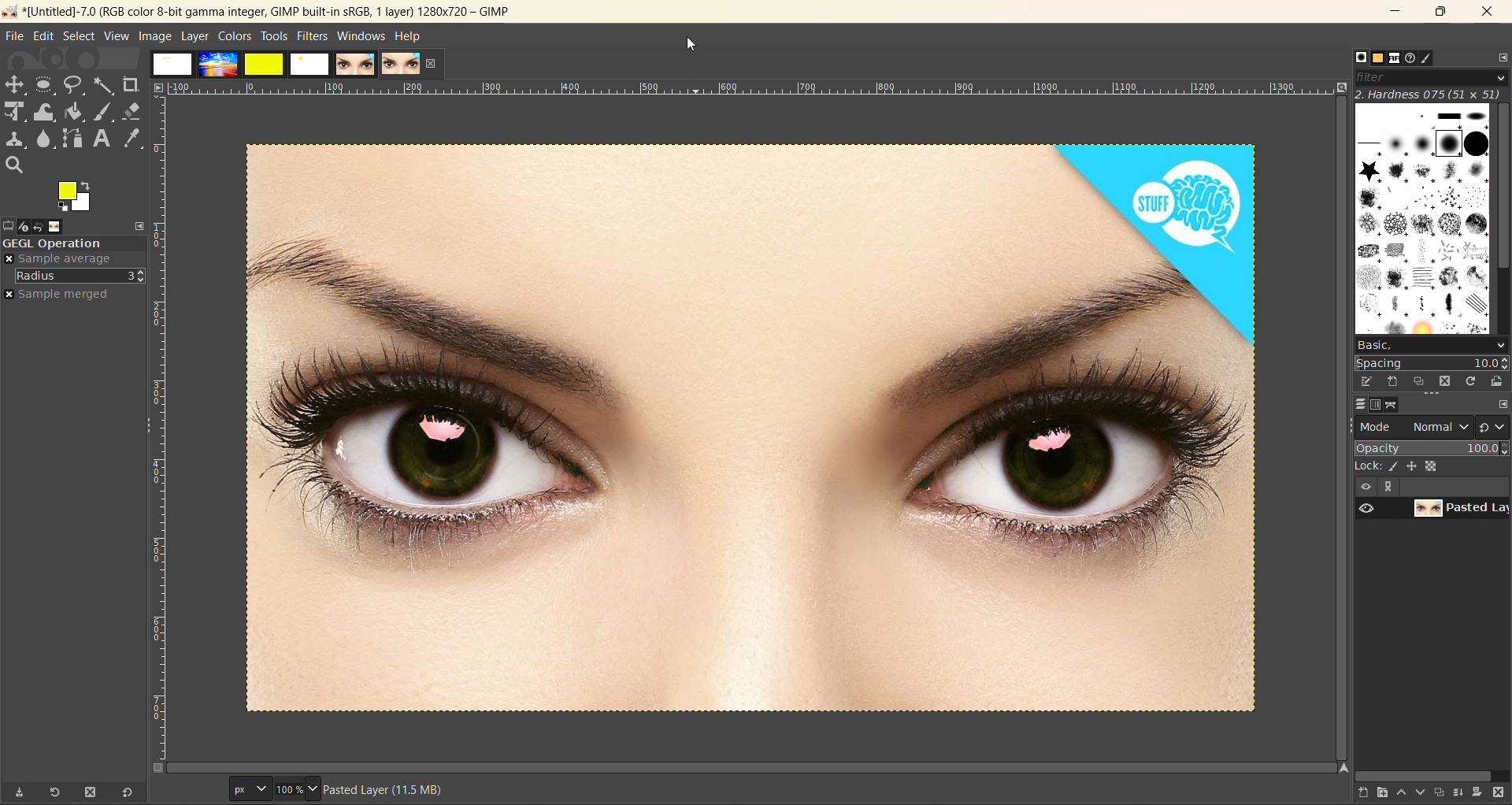 Image resolution: width=1512 pixels, height=805 pixels. I want to click on fonts, so click(1392, 58).